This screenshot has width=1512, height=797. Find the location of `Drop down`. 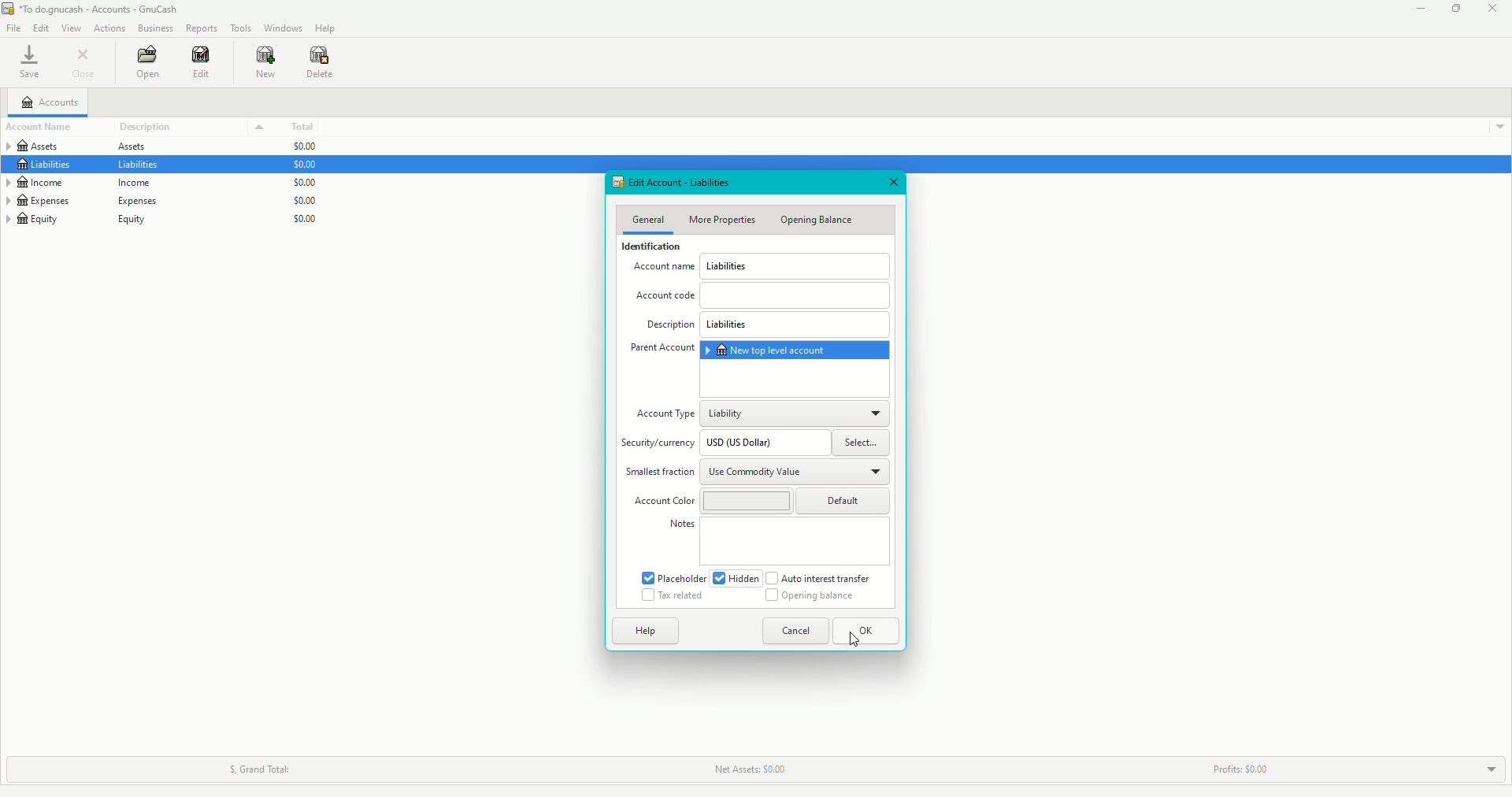

Drop down is located at coordinates (1488, 767).